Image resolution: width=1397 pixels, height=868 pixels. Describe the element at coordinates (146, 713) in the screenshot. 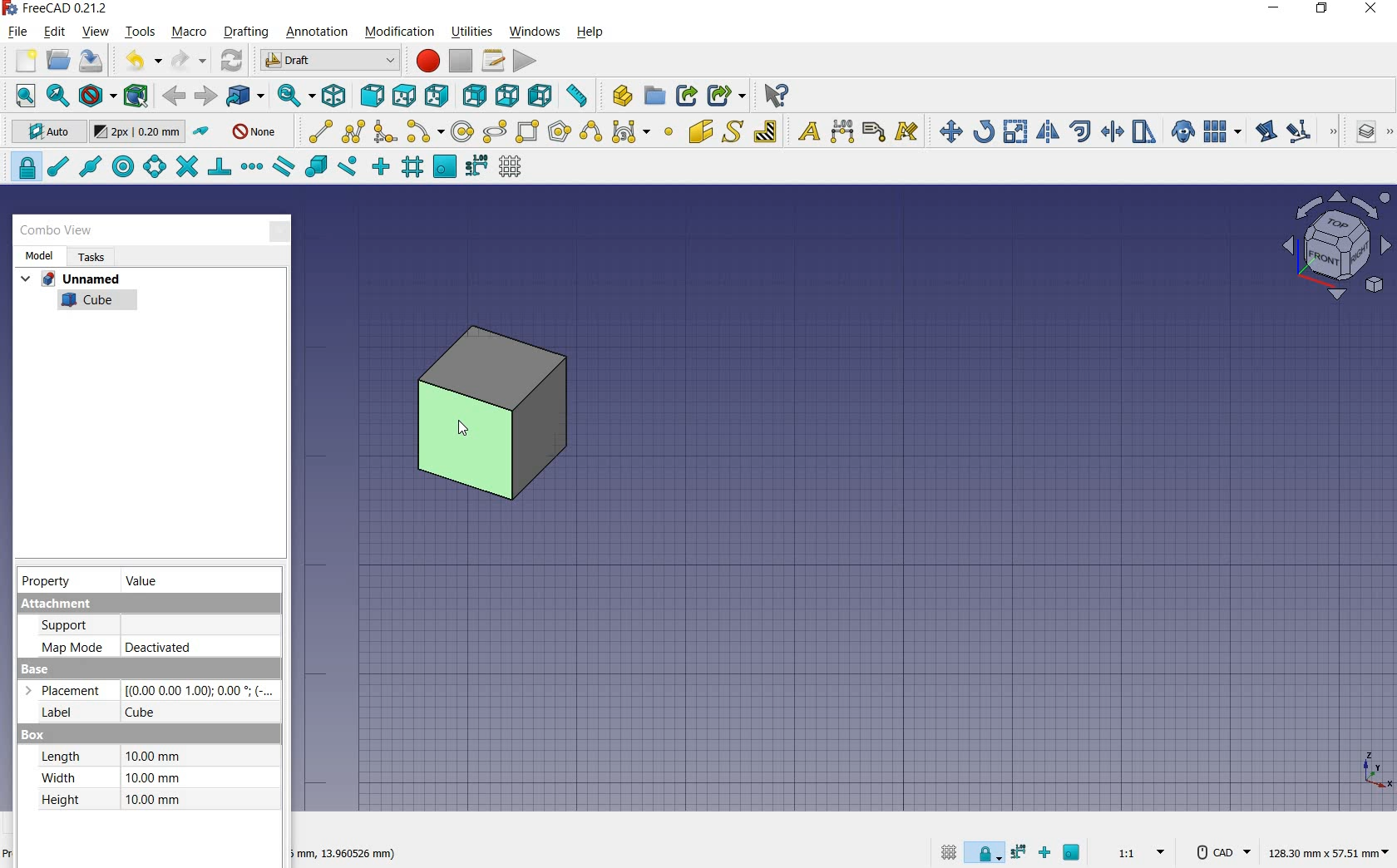

I see `cube` at that location.